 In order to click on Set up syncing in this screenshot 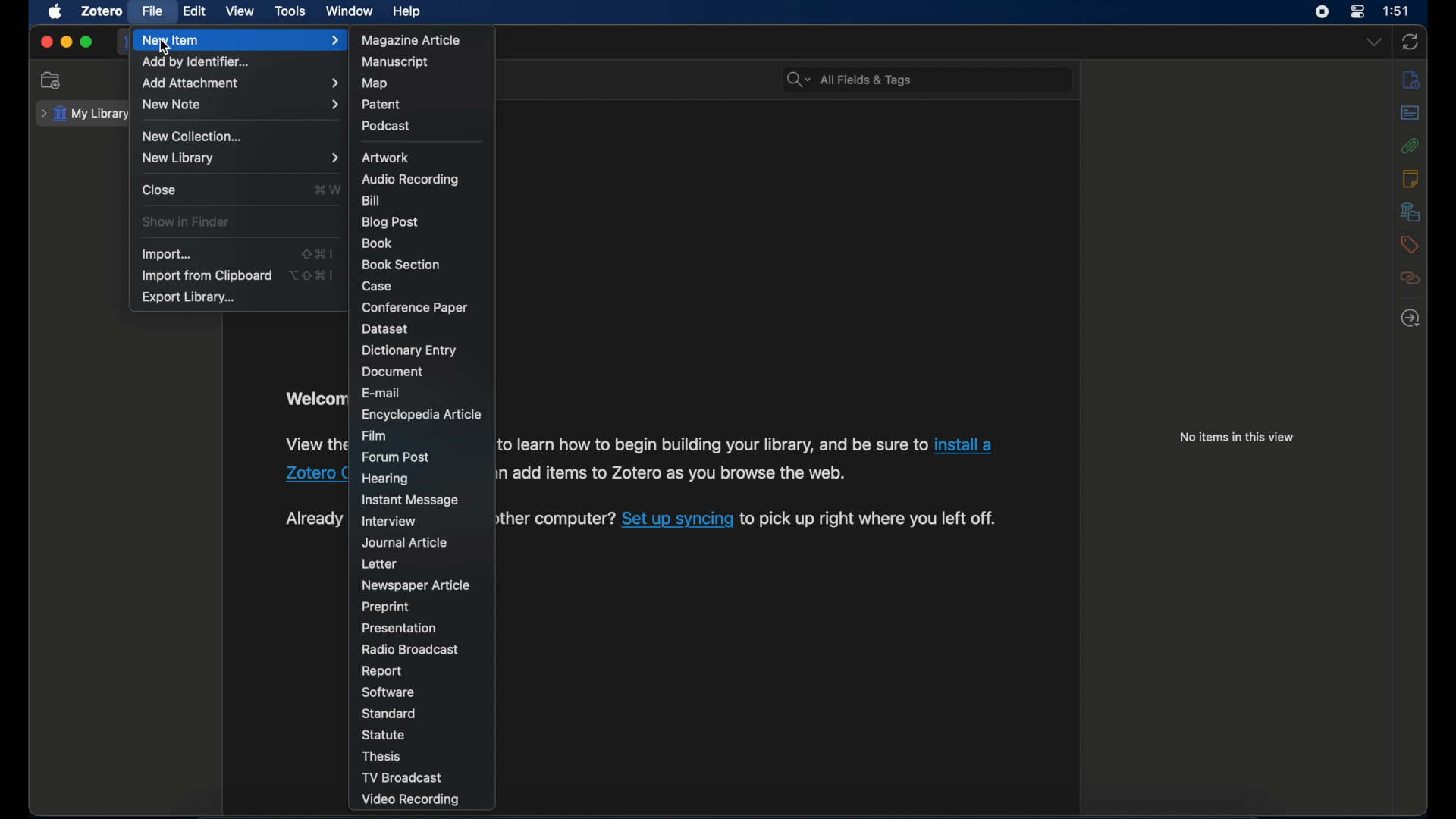, I will do `click(678, 518)`.